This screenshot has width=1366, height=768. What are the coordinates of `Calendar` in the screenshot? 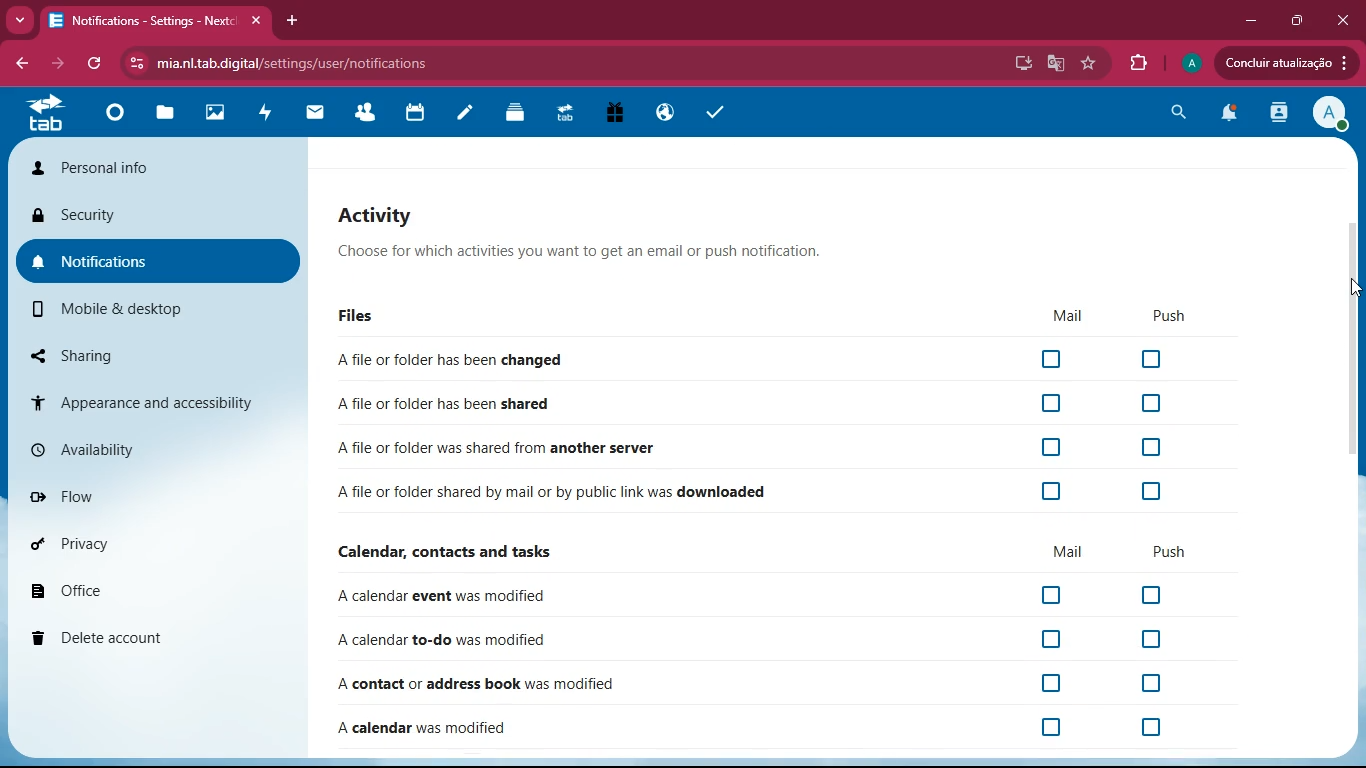 It's located at (418, 112).